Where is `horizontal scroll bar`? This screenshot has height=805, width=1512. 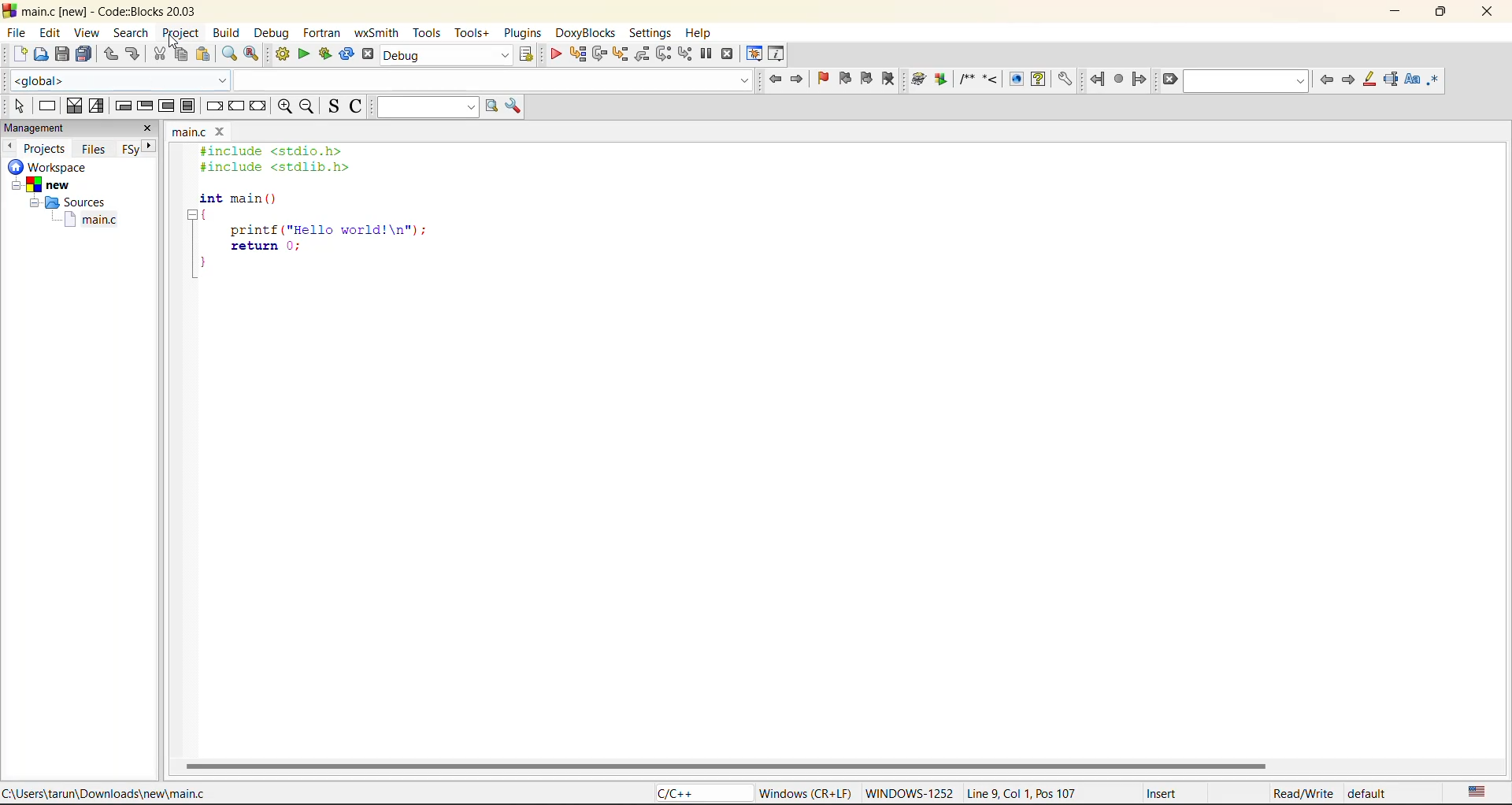
horizontal scroll bar is located at coordinates (725, 766).